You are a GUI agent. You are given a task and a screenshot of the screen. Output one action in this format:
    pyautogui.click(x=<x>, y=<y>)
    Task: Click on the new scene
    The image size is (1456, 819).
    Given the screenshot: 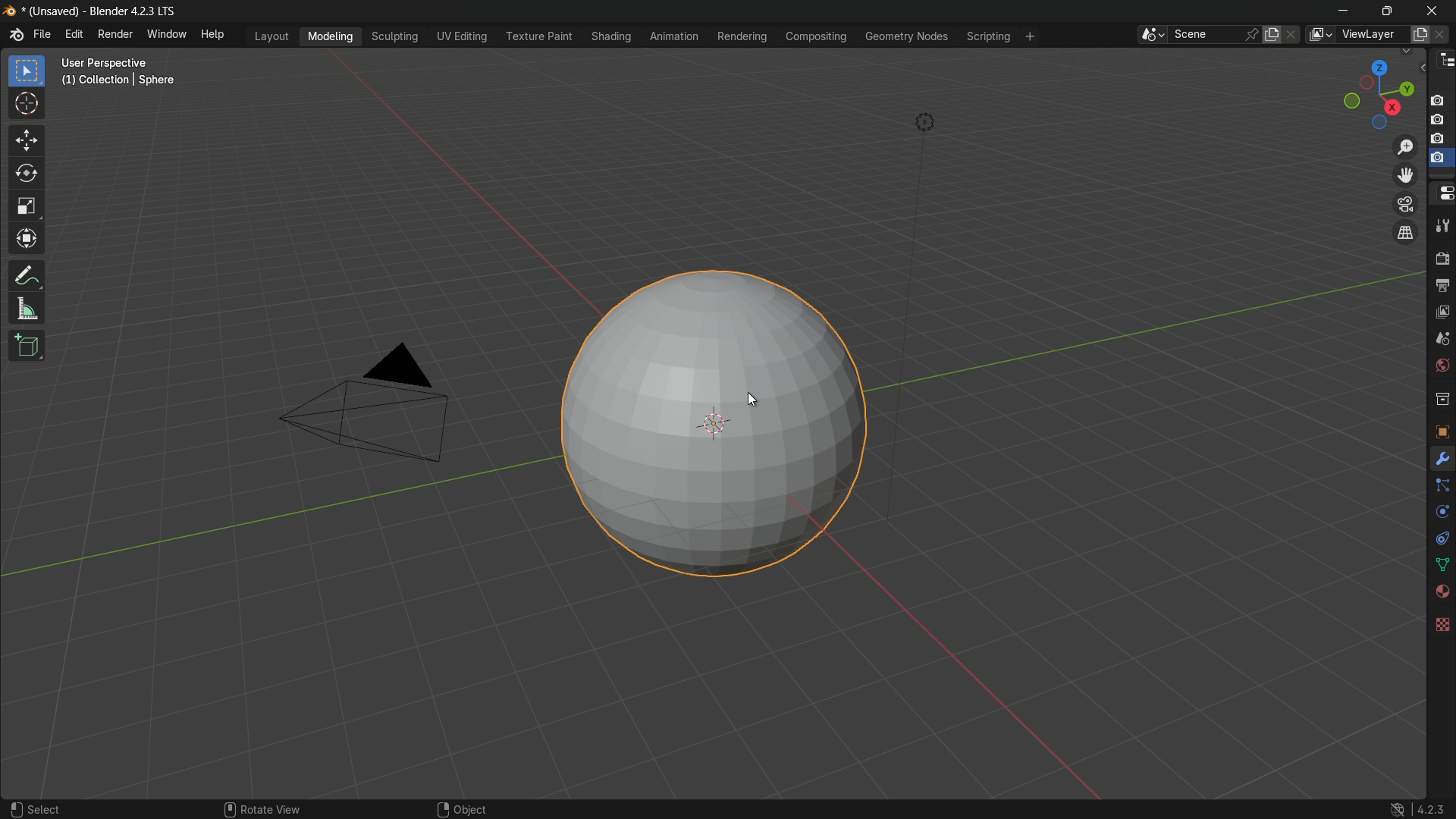 What is the action you would take?
    pyautogui.click(x=1272, y=34)
    